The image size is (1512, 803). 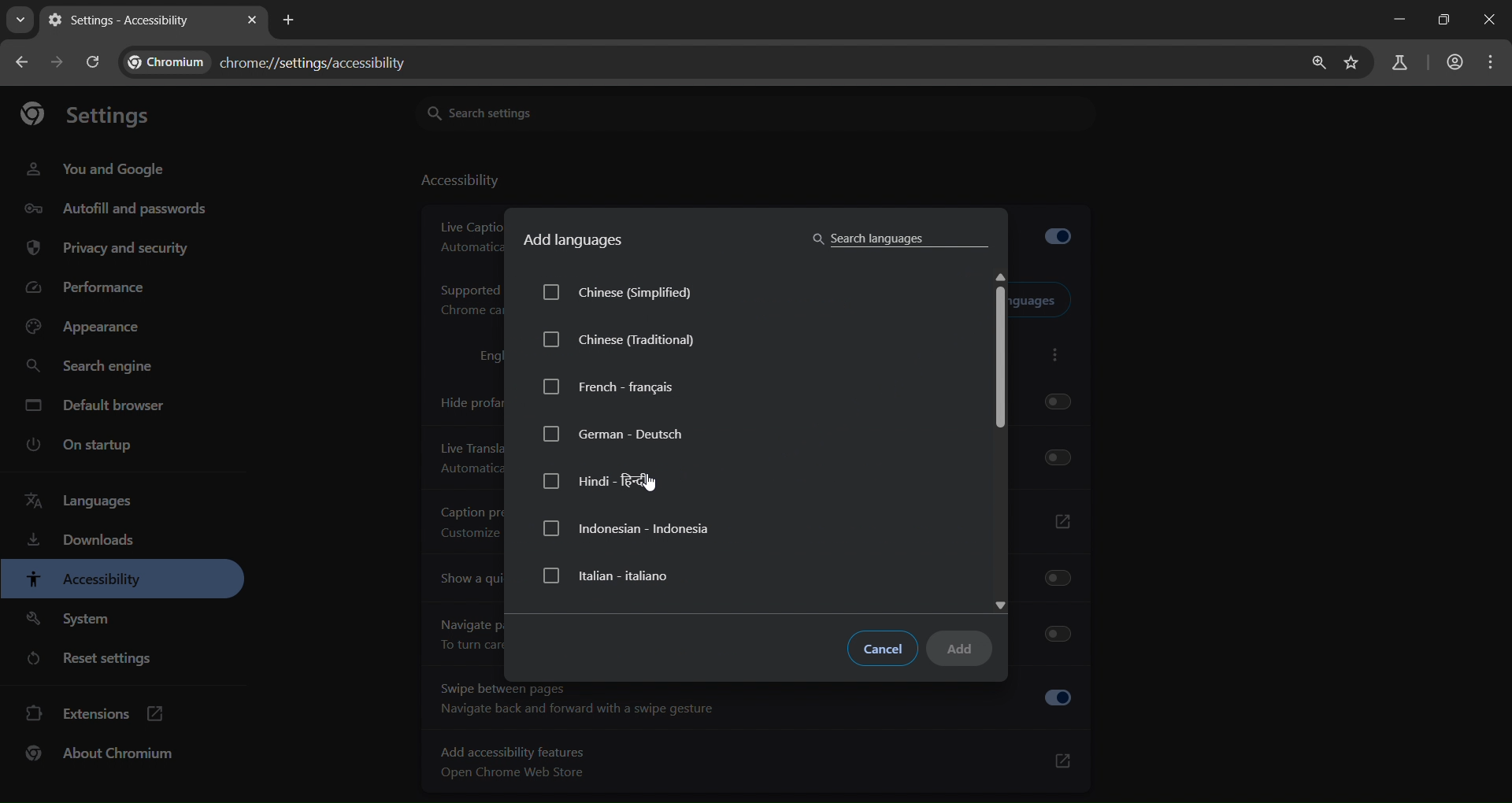 I want to click on scroll down, so click(x=1005, y=602).